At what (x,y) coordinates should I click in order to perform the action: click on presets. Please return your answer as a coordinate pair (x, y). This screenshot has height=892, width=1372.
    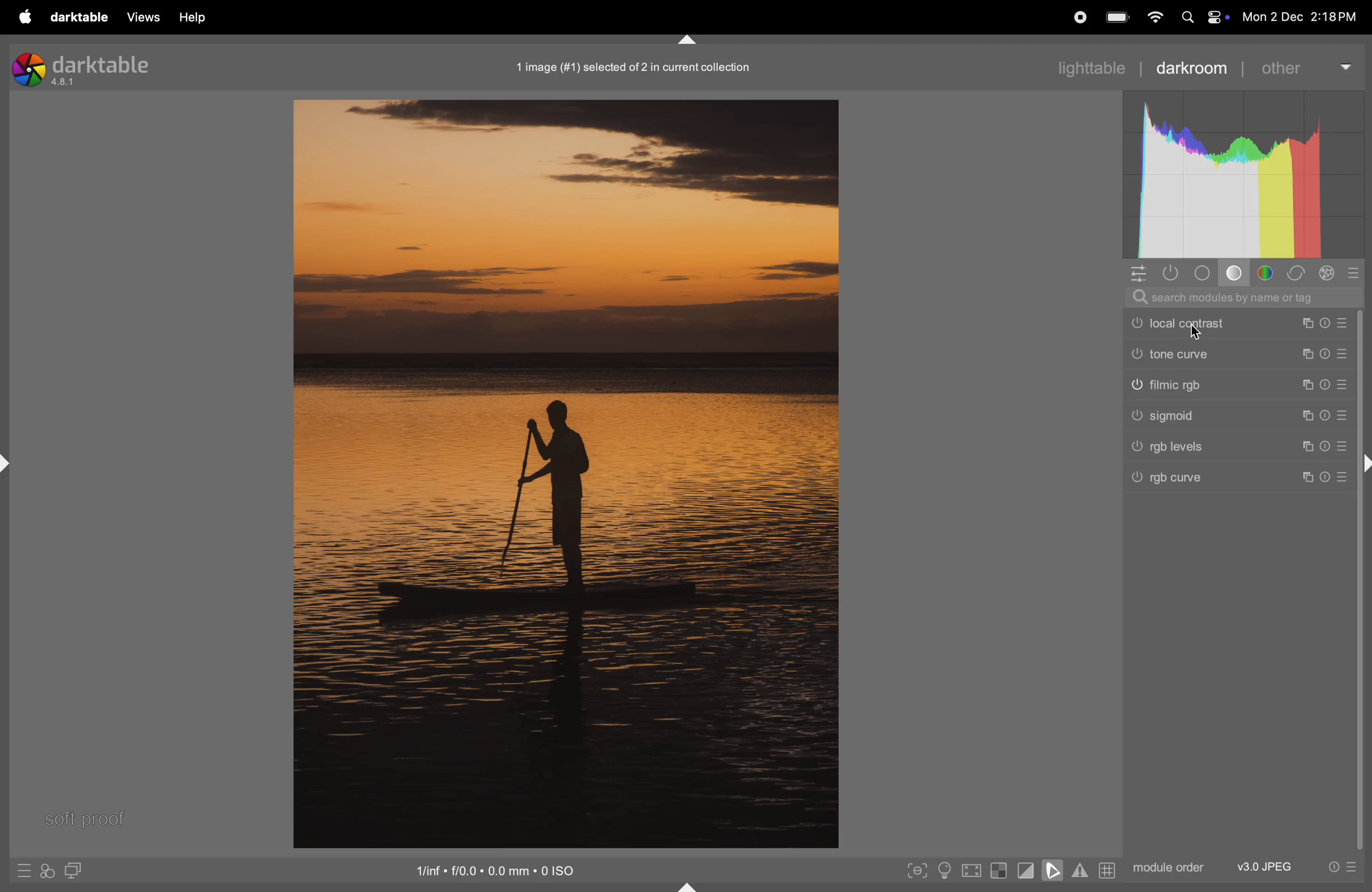
    Looking at the image, I should click on (1342, 868).